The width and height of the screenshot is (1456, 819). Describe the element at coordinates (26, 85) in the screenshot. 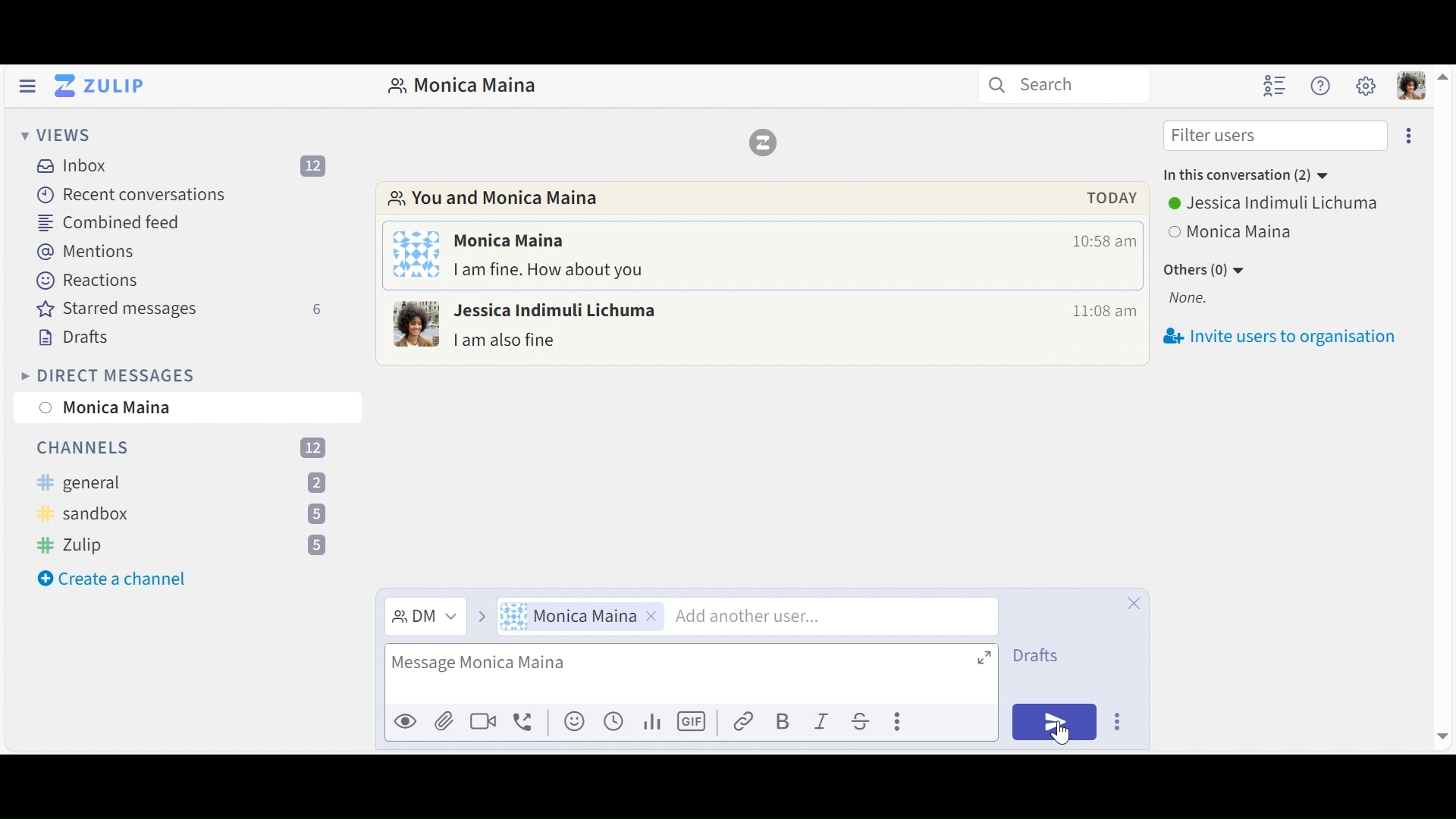

I see `Hide Left Sidebar` at that location.